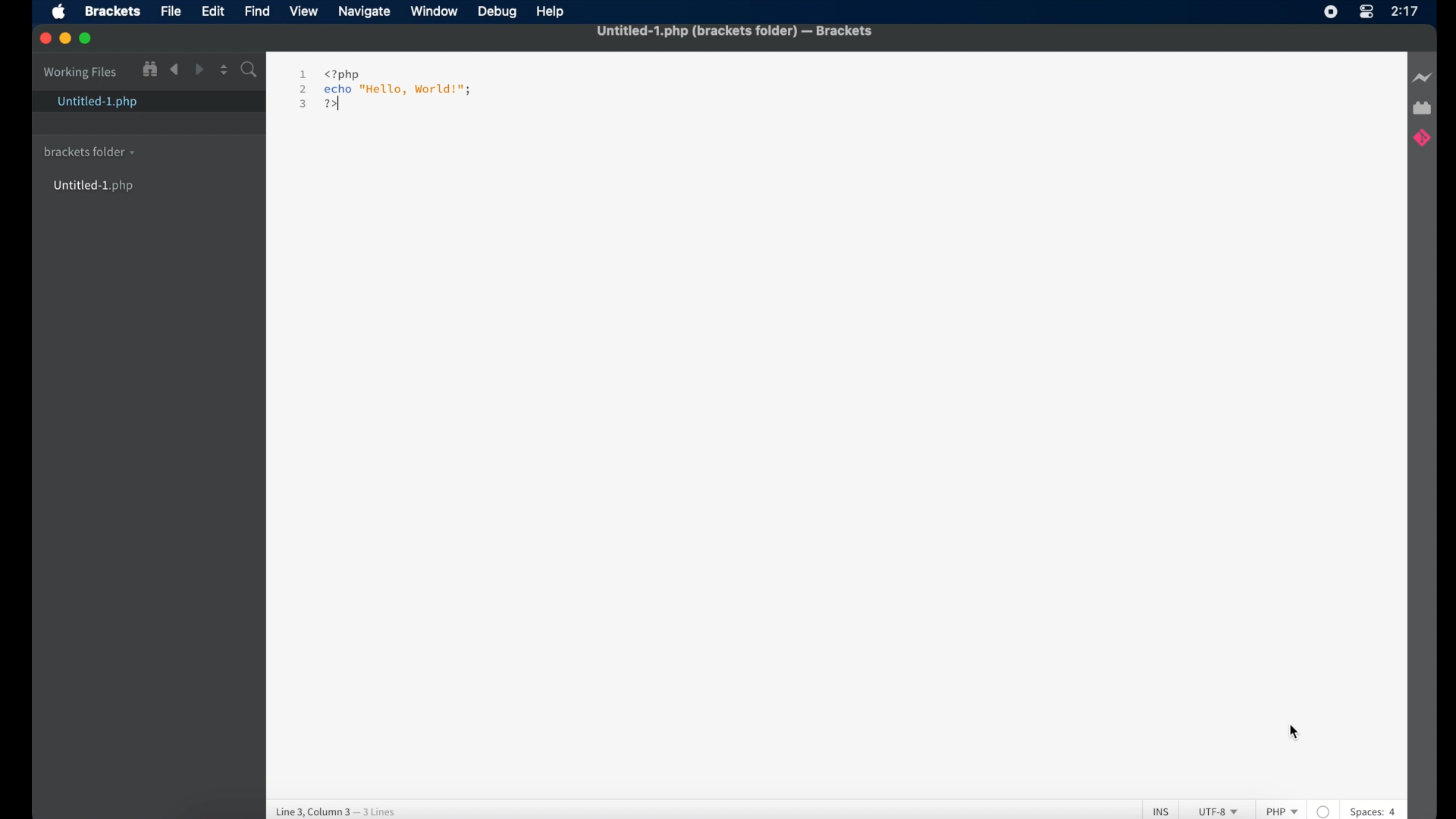  Describe the element at coordinates (434, 12) in the screenshot. I see `window` at that location.